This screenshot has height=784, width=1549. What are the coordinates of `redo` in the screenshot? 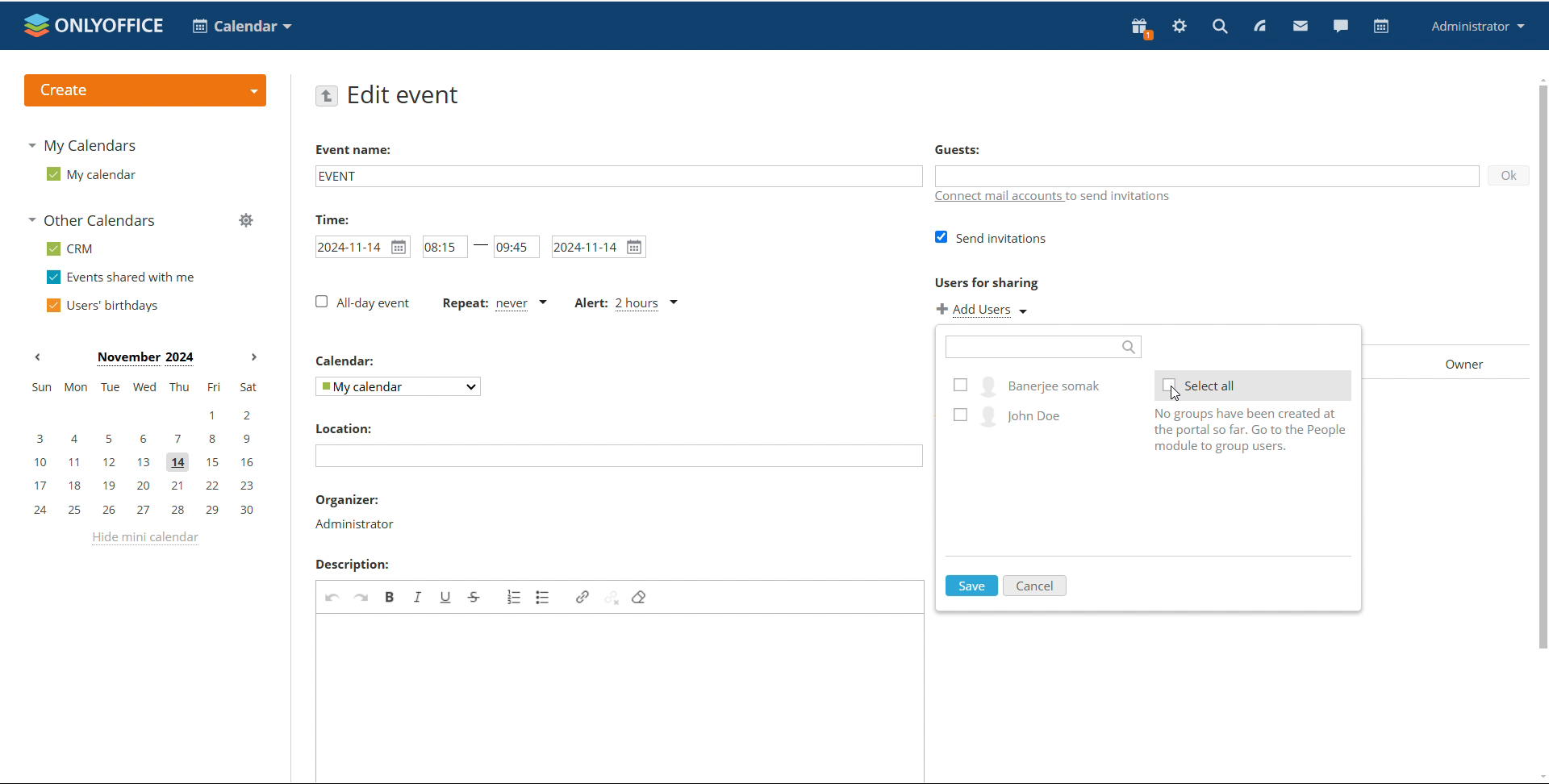 It's located at (363, 596).